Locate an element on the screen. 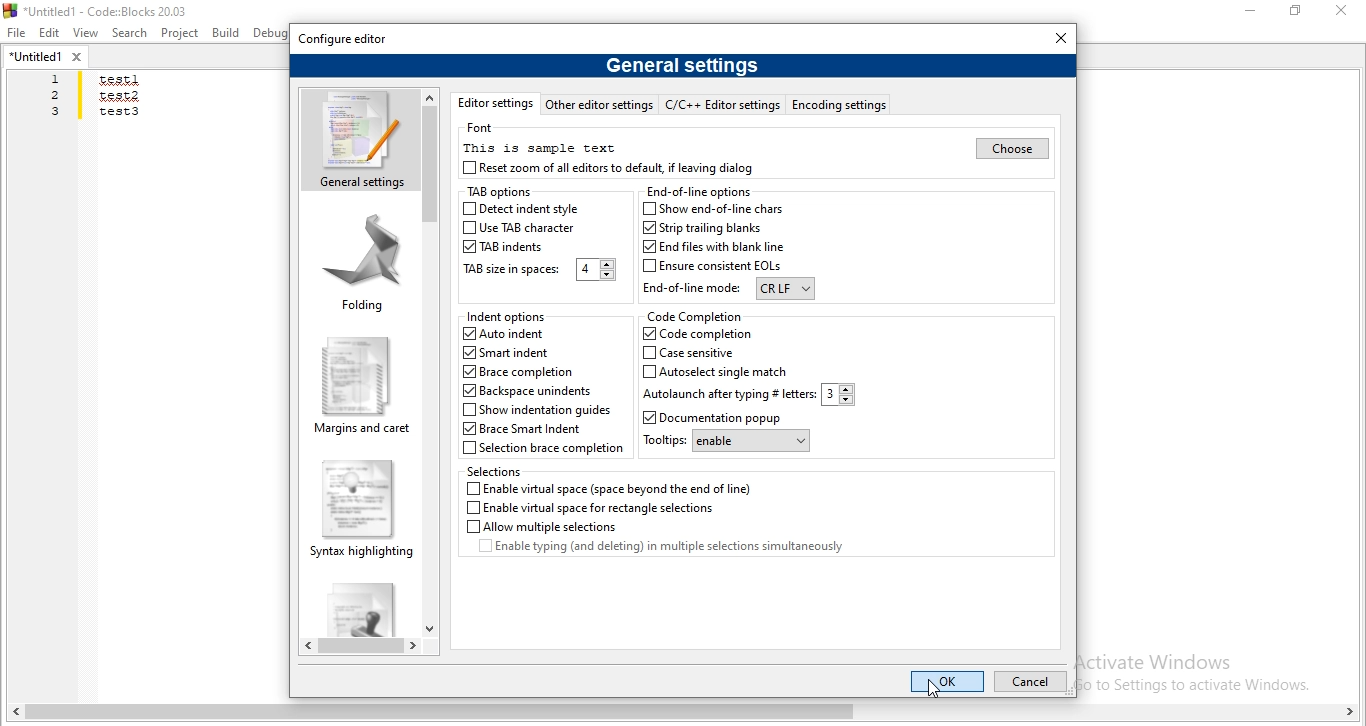  Indent options is located at coordinates (508, 317).